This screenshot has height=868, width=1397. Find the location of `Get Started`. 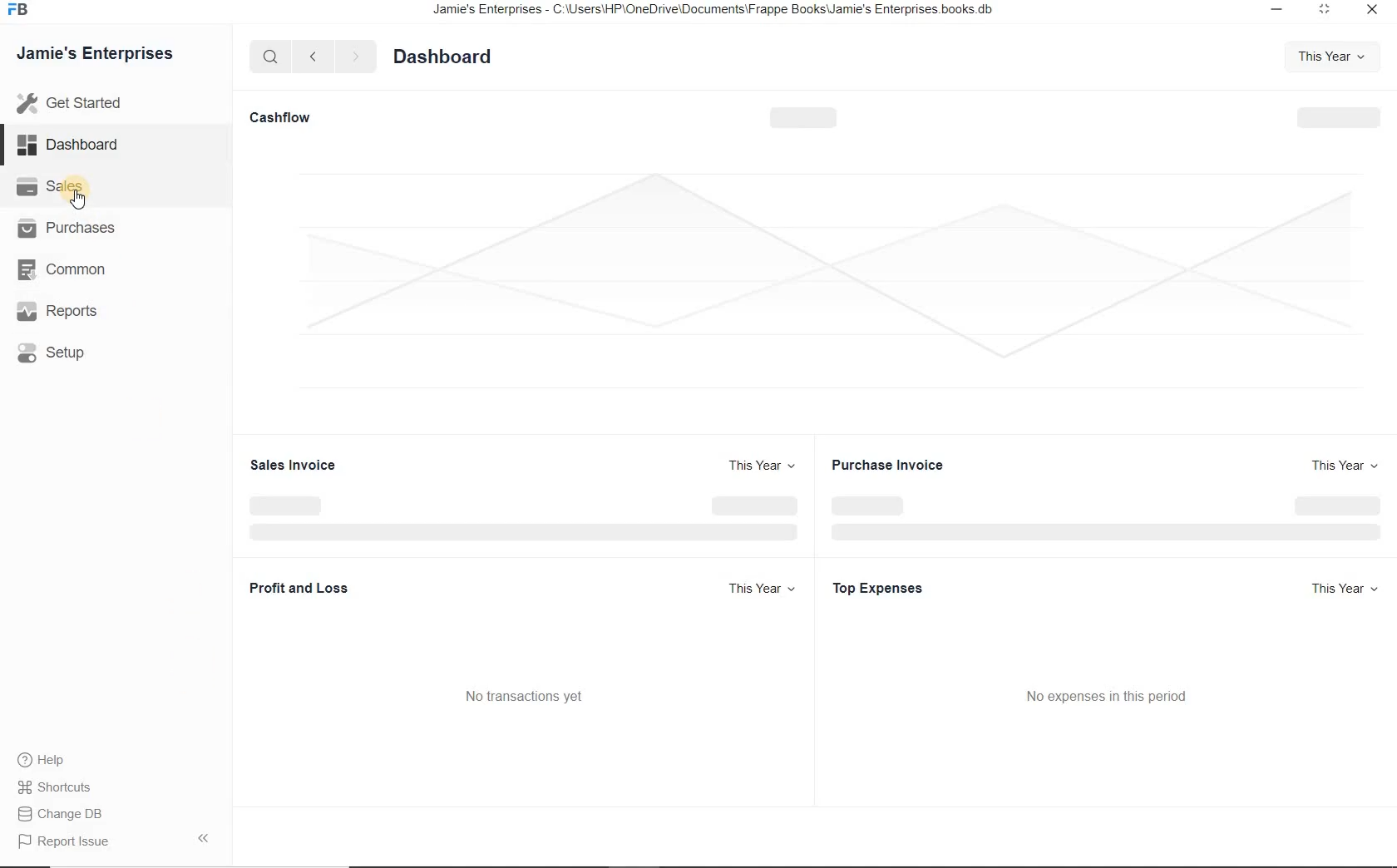

Get Started is located at coordinates (70, 105).